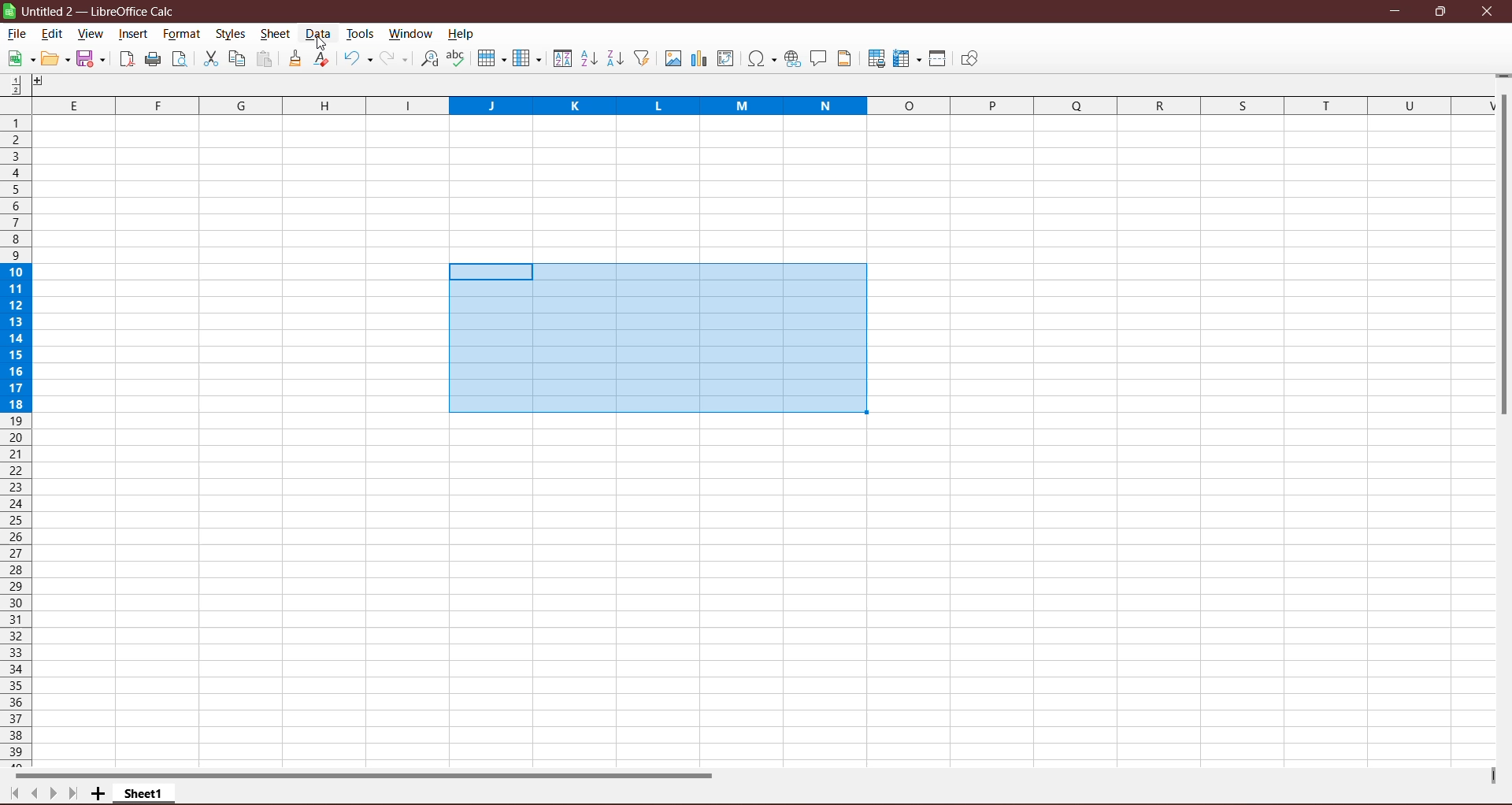 The width and height of the screenshot is (1512, 805). I want to click on Scroll to last page, so click(72, 795).